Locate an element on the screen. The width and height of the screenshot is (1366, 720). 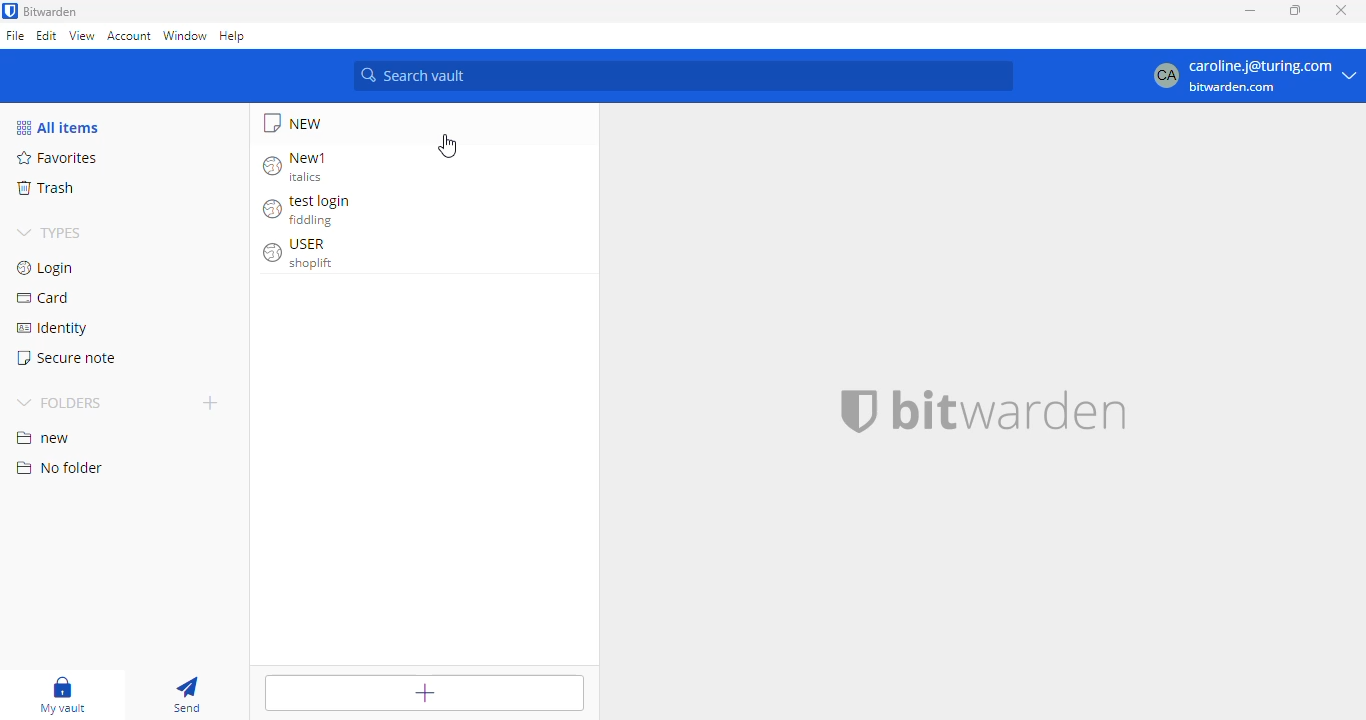
user profile is located at coordinates (1252, 76).